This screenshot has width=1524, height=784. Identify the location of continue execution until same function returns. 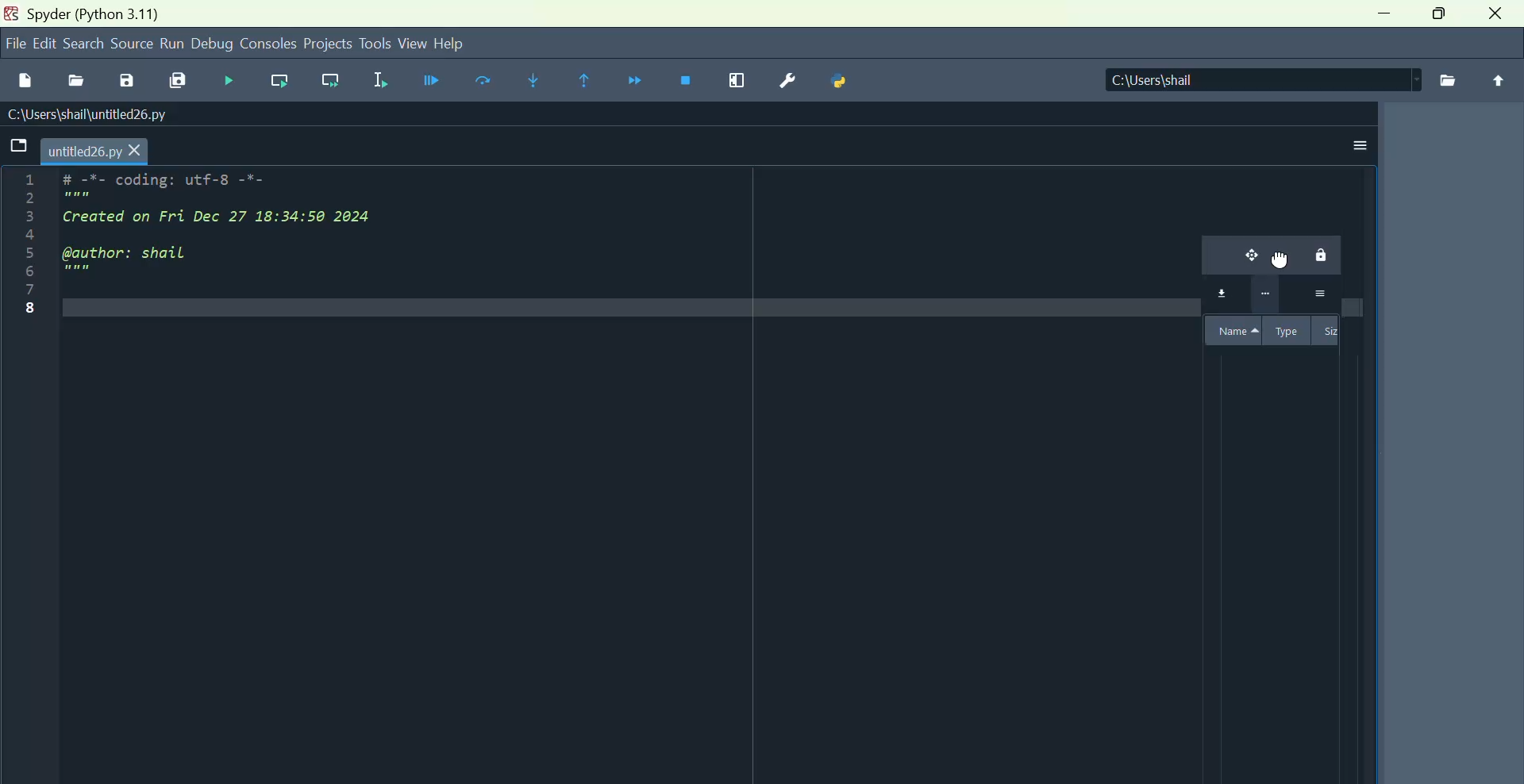
(587, 79).